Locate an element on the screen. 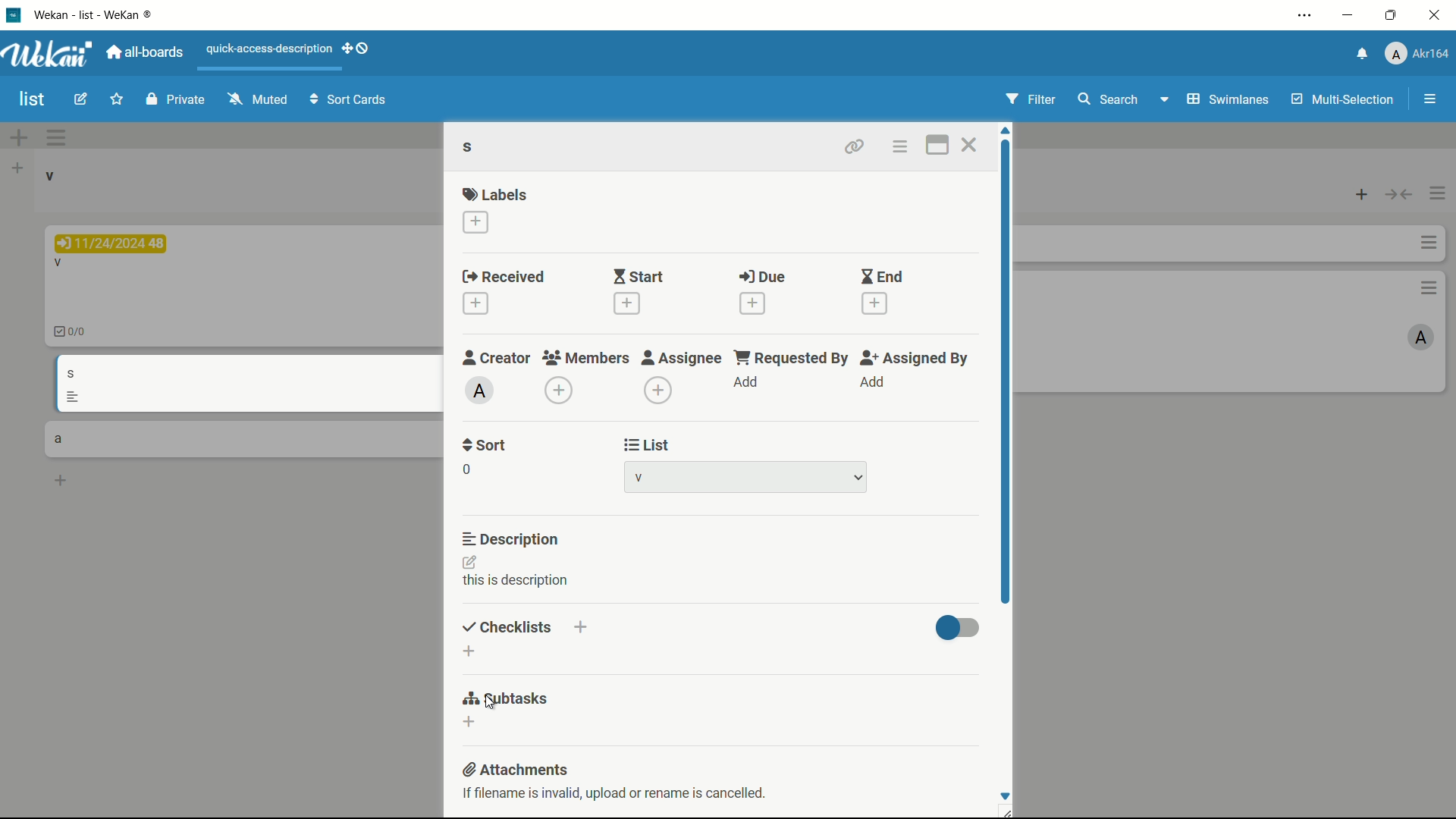  cursor is located at coordinates (489, 704).